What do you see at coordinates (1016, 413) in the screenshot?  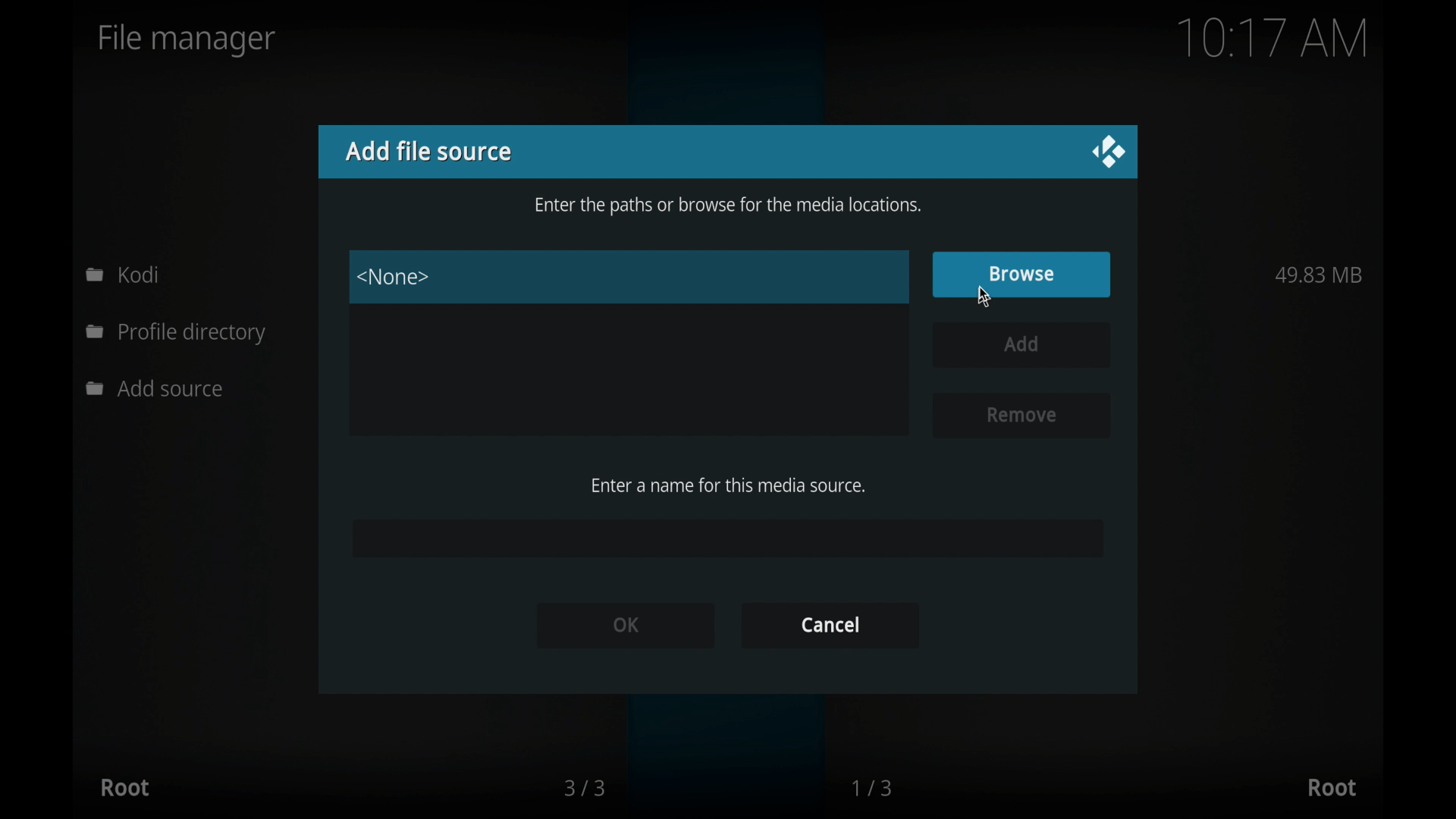 I see `remove` at bounding box center [1016, 413].